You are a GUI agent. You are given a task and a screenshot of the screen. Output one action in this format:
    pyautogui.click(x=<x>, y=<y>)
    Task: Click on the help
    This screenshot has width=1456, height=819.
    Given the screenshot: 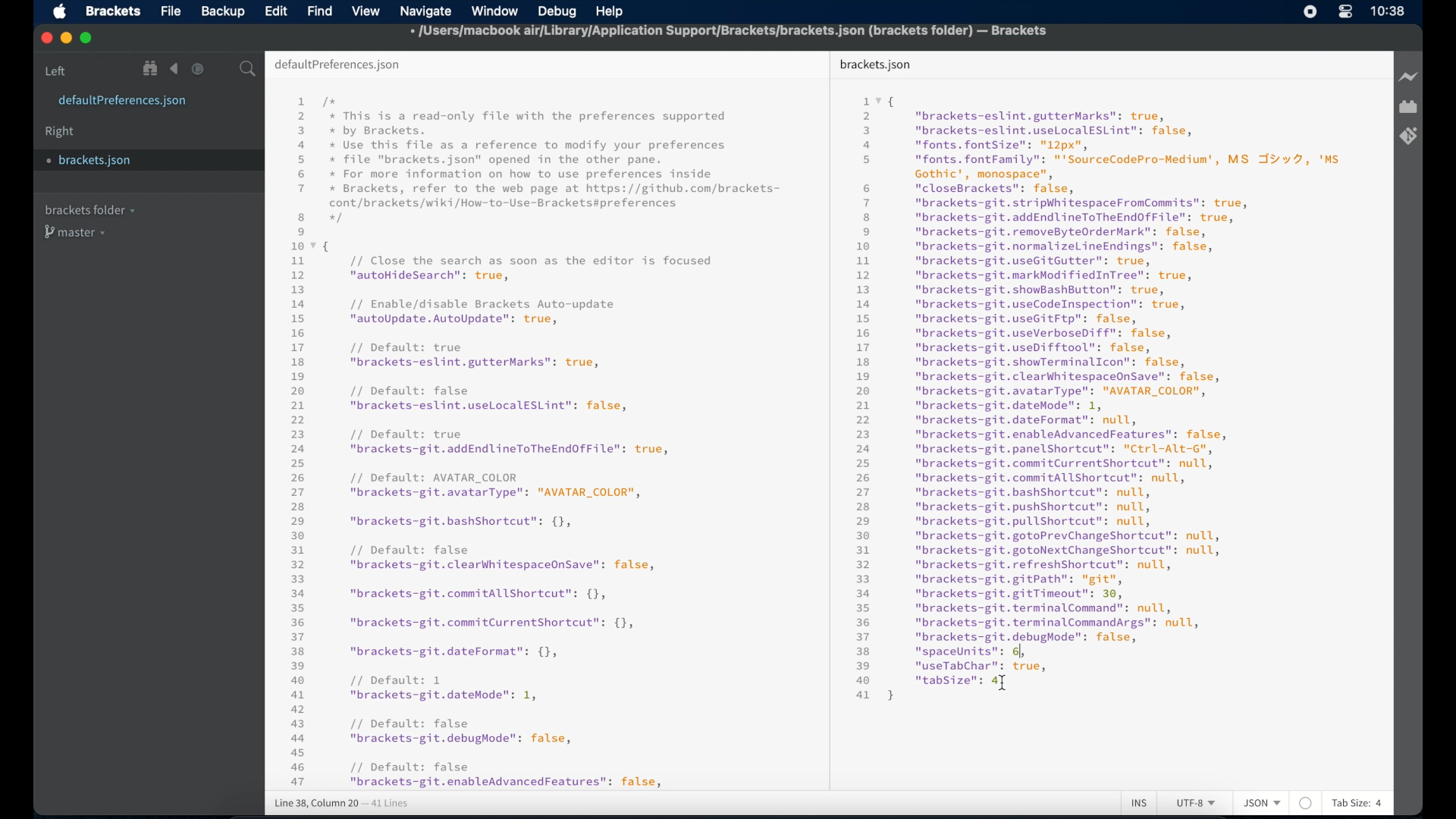 What is the action you would take?
    pyautogui.click(x=610, y=13)
    